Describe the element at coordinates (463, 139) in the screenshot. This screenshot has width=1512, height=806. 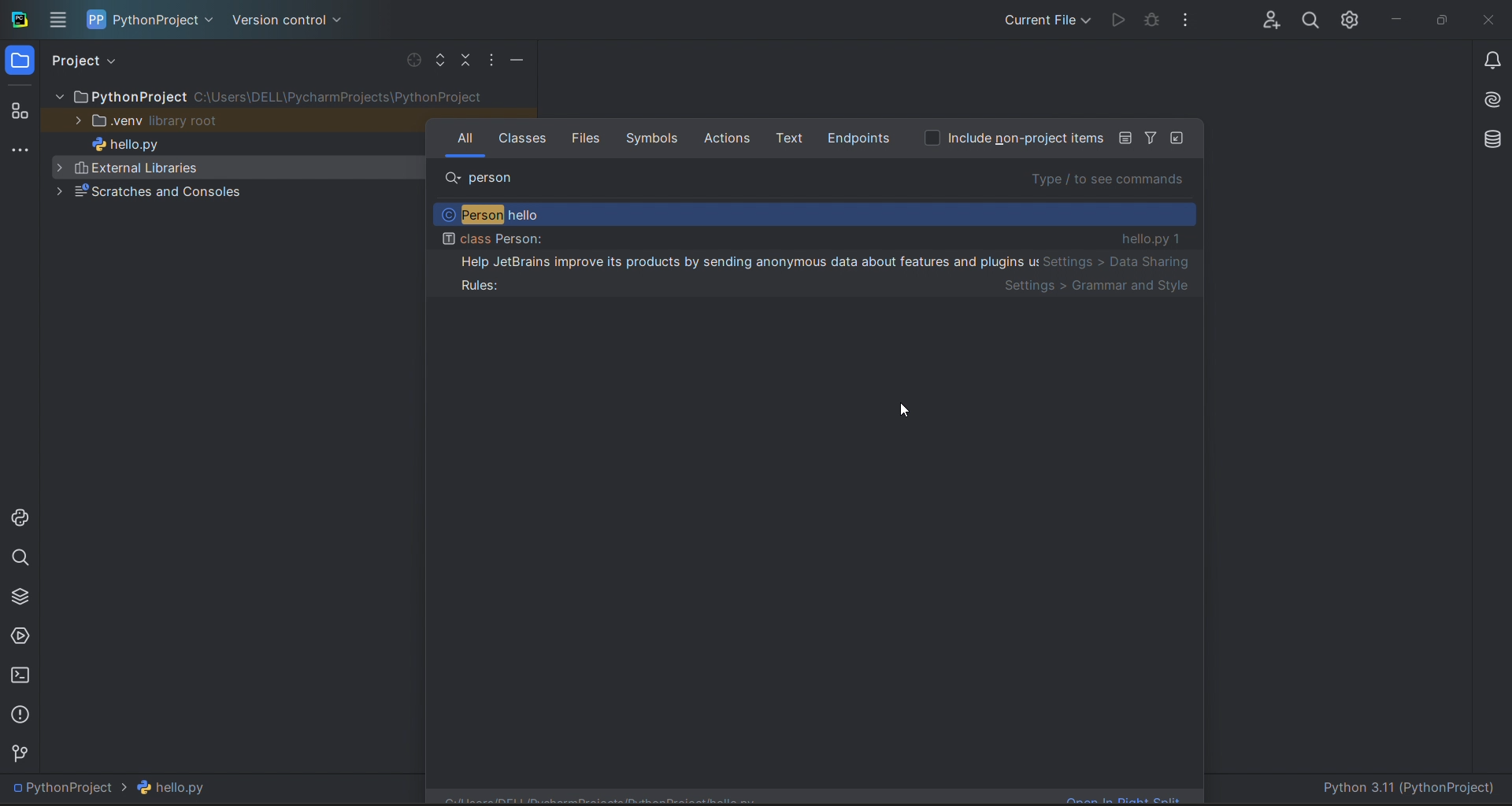
I see `all` at that location.